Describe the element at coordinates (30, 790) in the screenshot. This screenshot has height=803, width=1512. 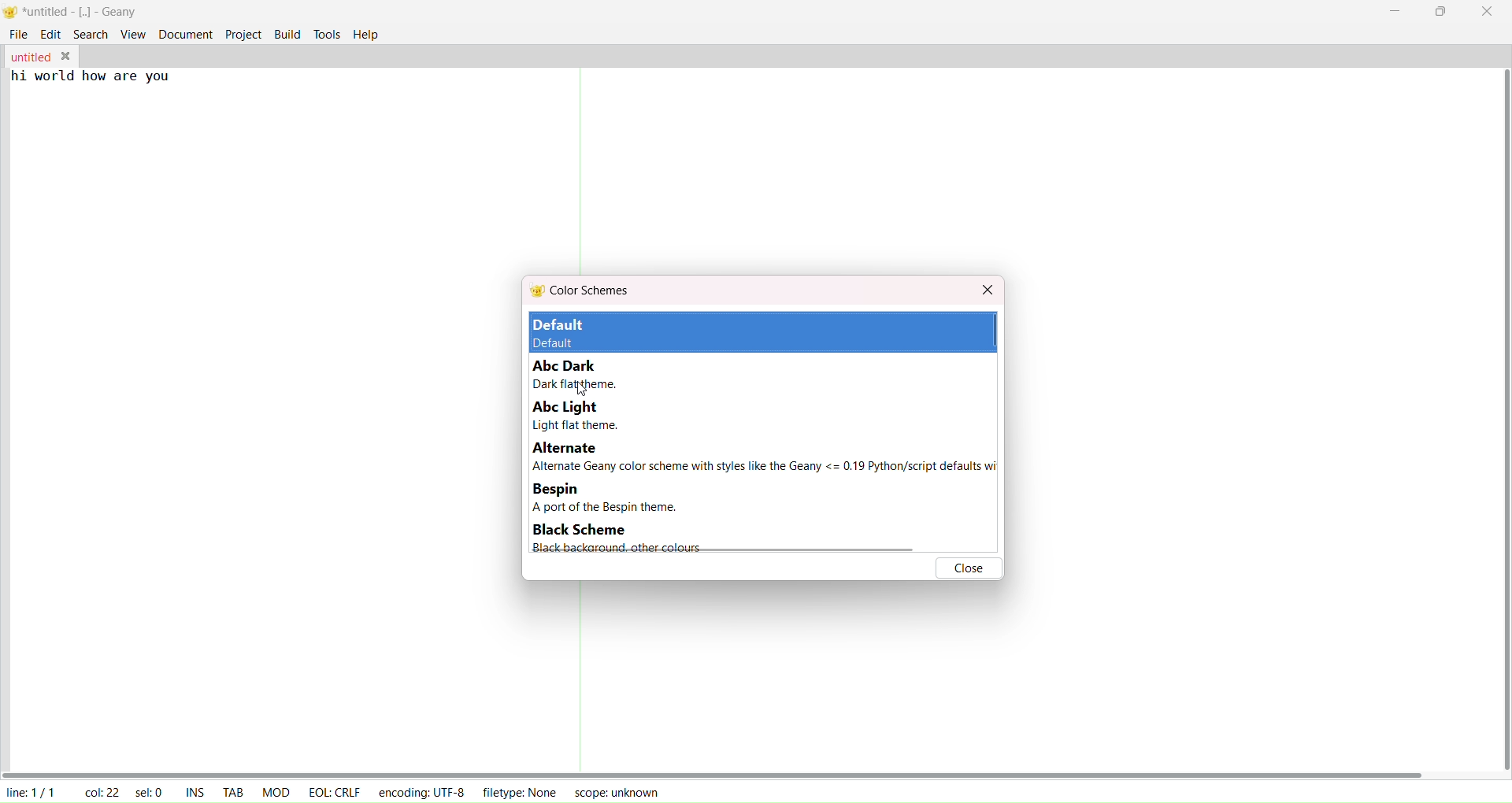
I see `line` at that location.